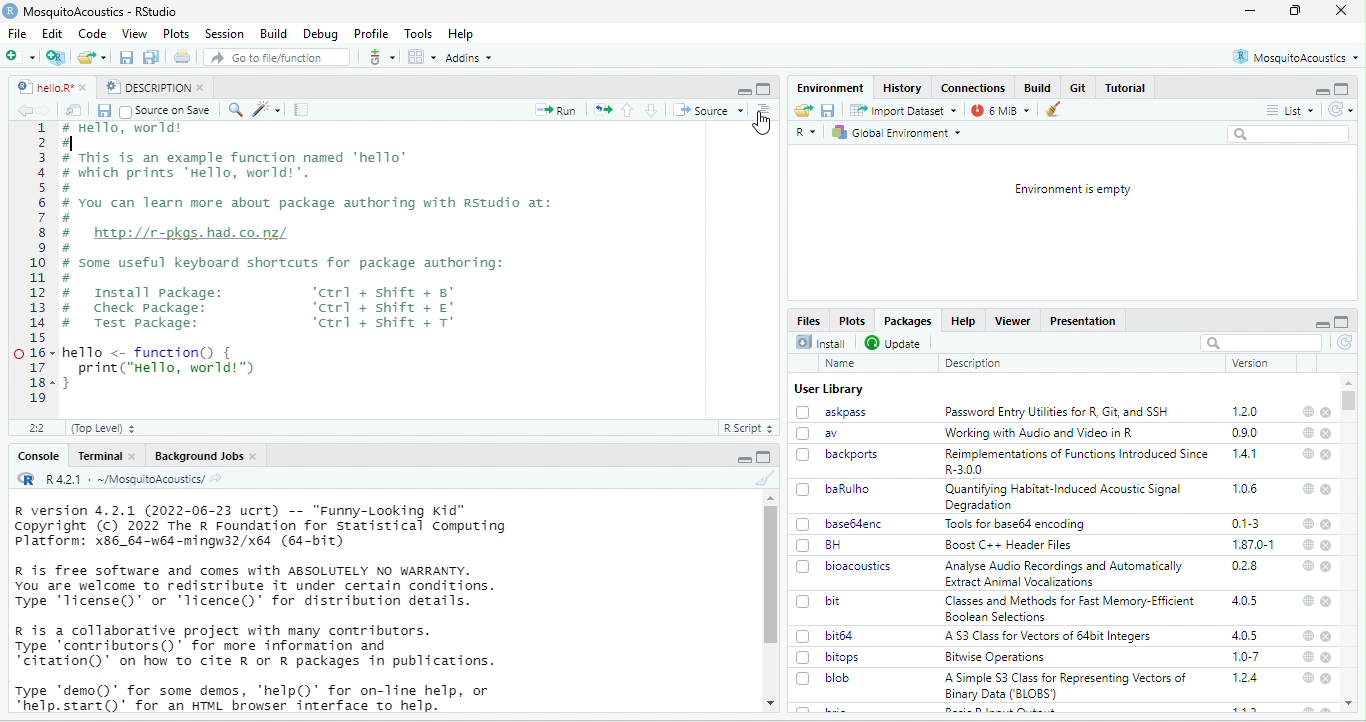  I want to click on Show in new window, so click(74, 110).